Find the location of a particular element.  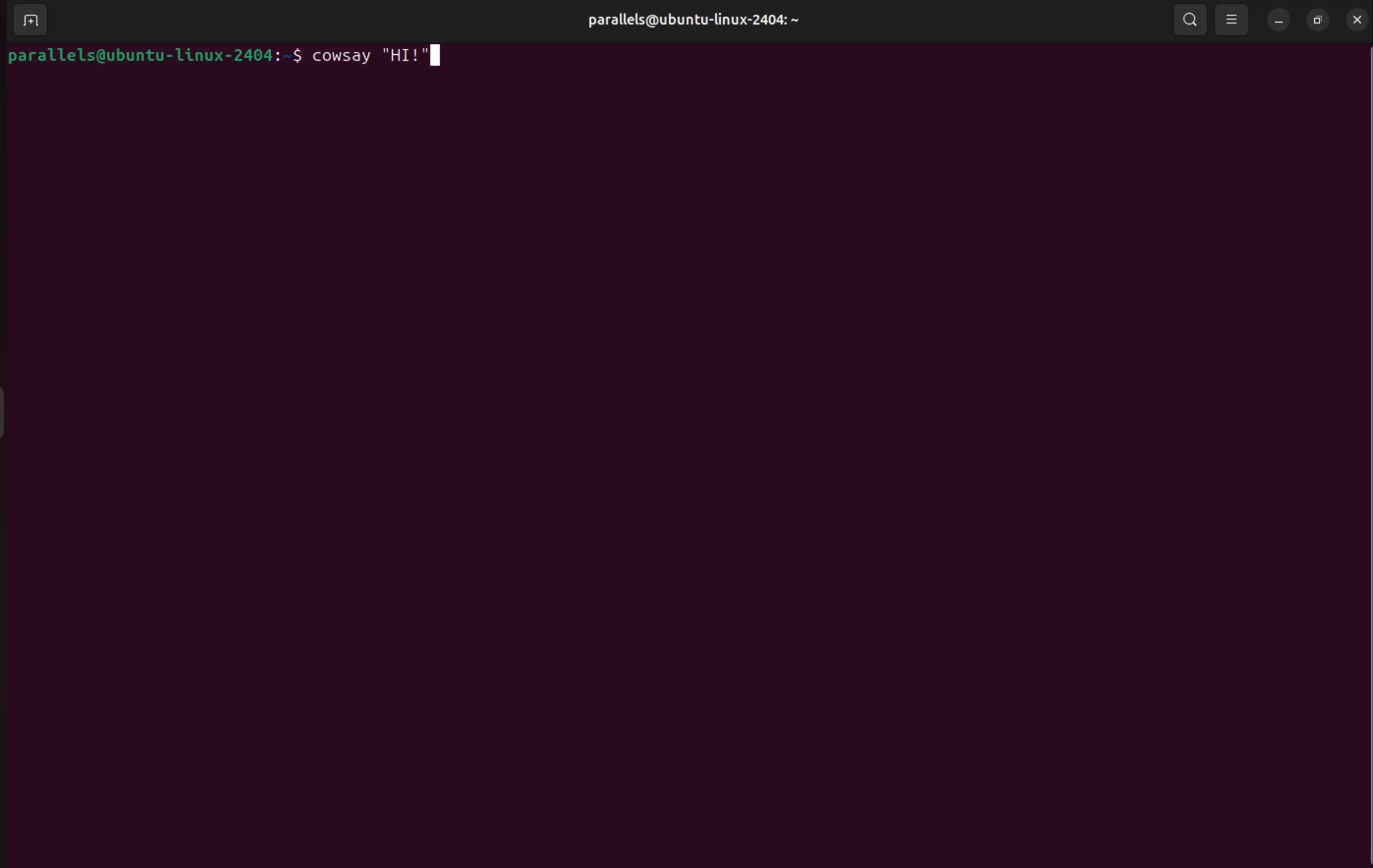

minimize is located at coordinates (1279, 20).